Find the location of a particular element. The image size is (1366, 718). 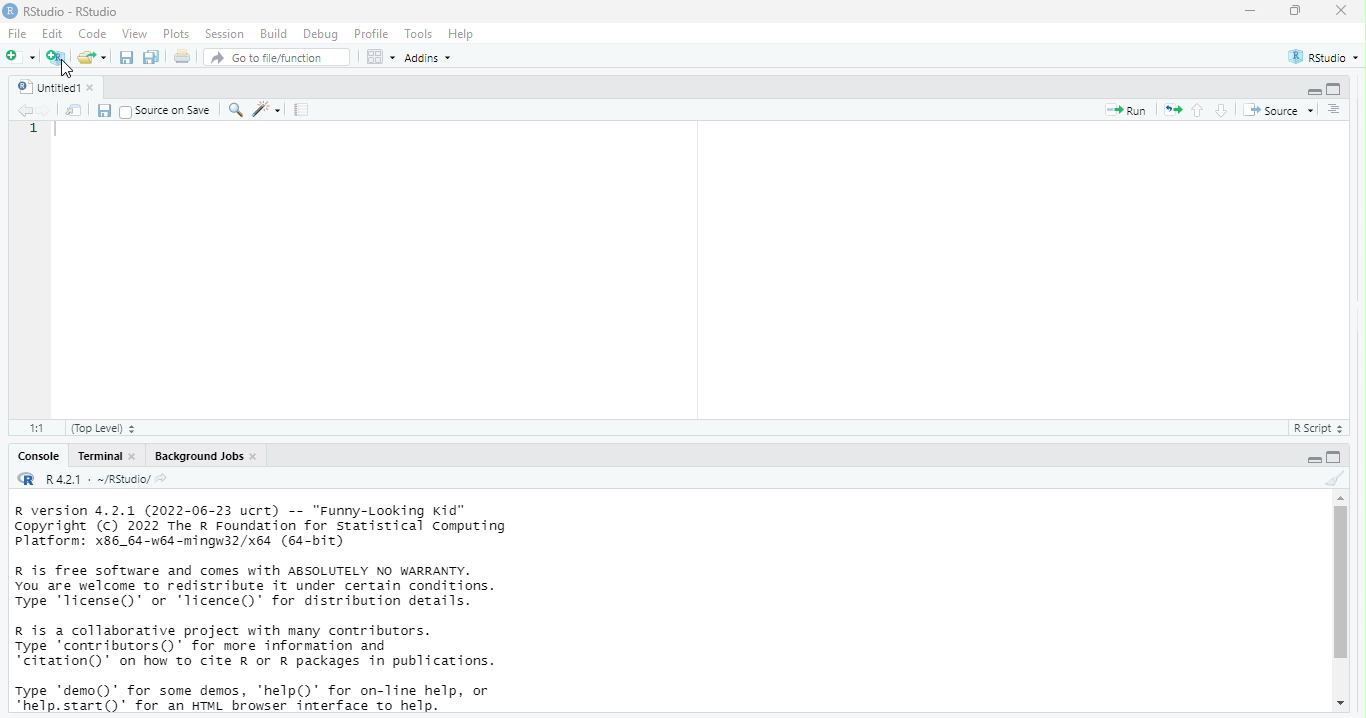

find/replace is located at coordinates (233, 109).